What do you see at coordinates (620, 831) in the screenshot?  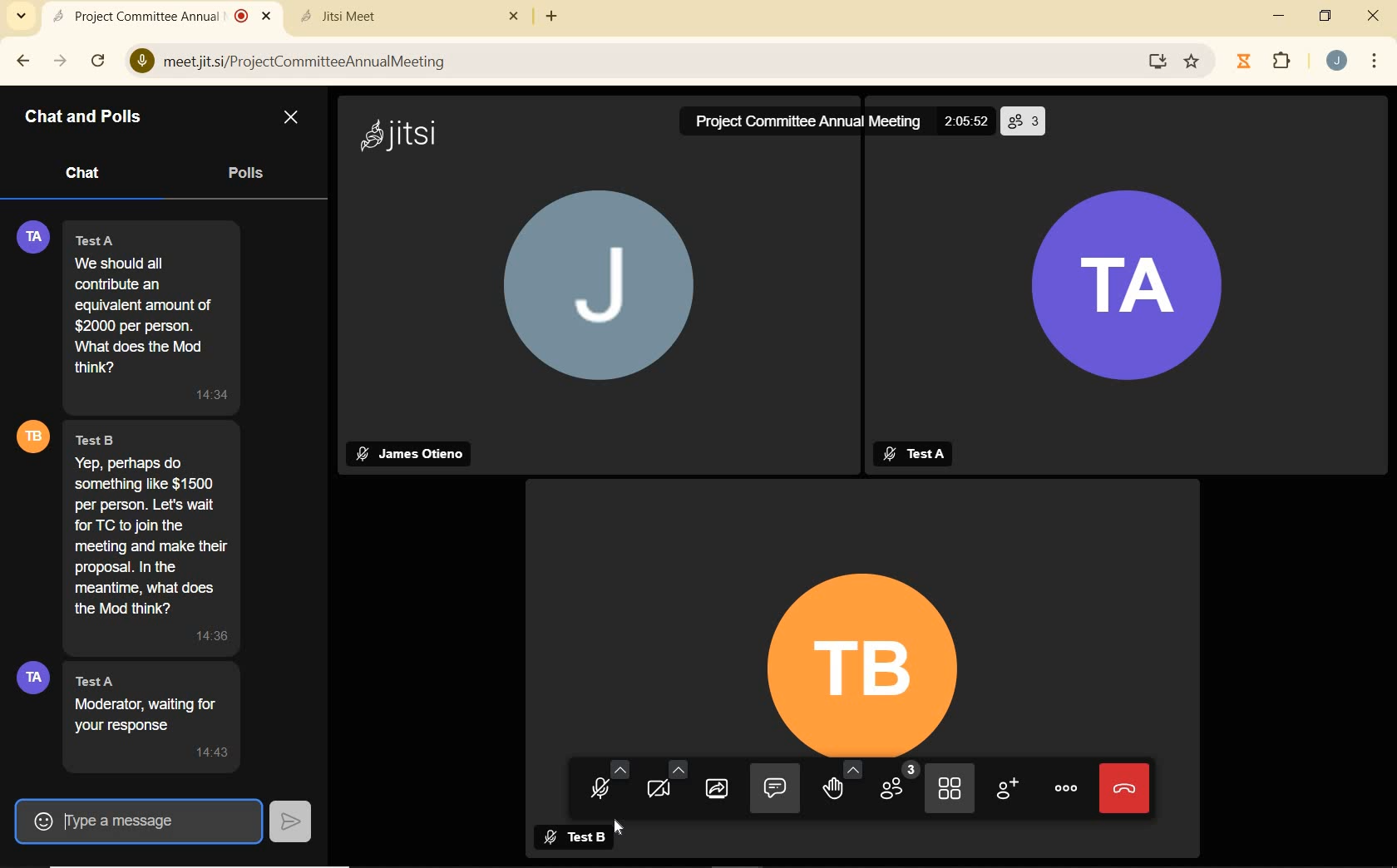 I see `crusor` at bounding box center [620, 831].